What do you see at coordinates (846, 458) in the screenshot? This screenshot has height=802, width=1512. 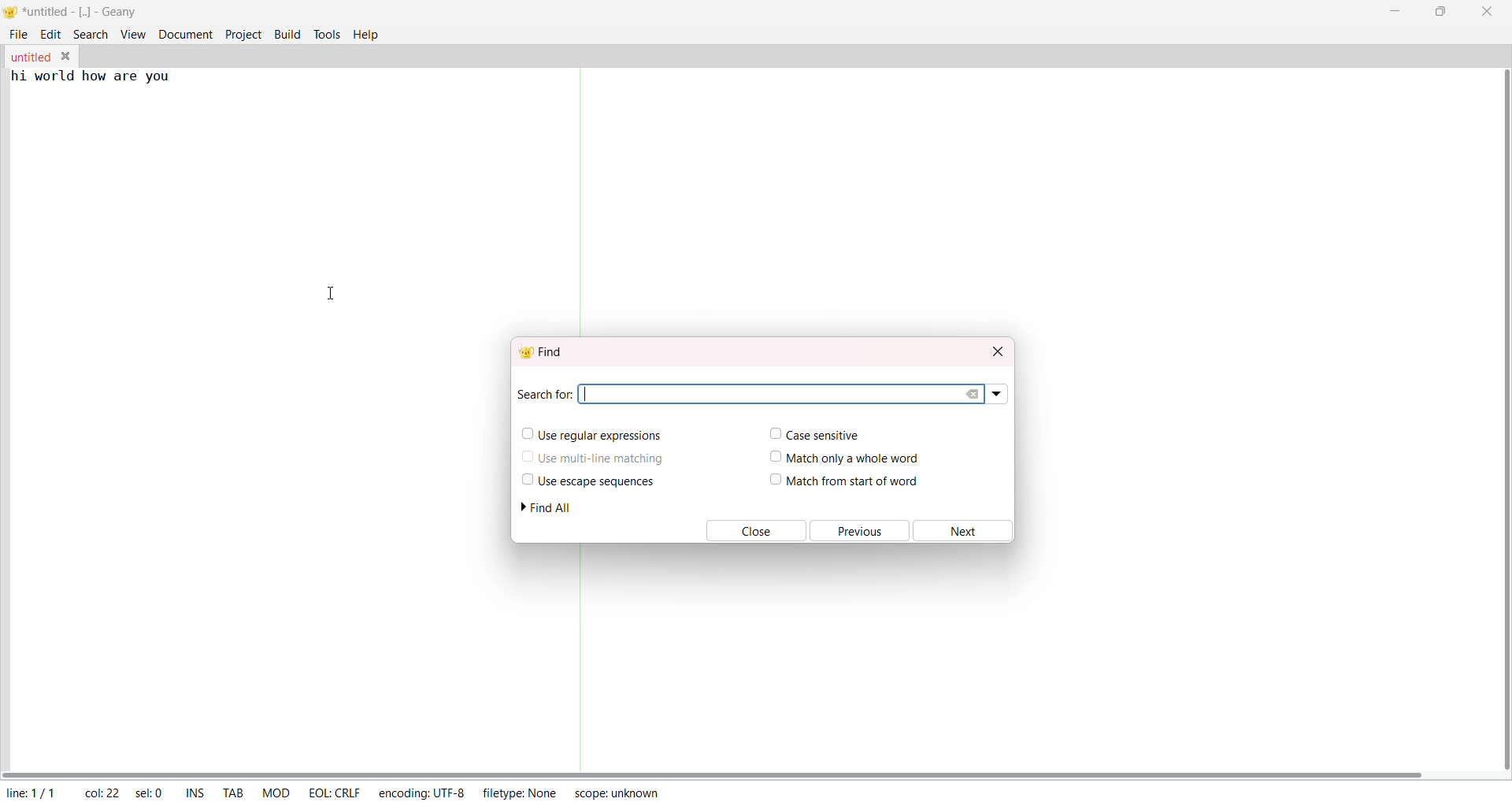 I see `match only a whole word` at bounding box center [846, 458].